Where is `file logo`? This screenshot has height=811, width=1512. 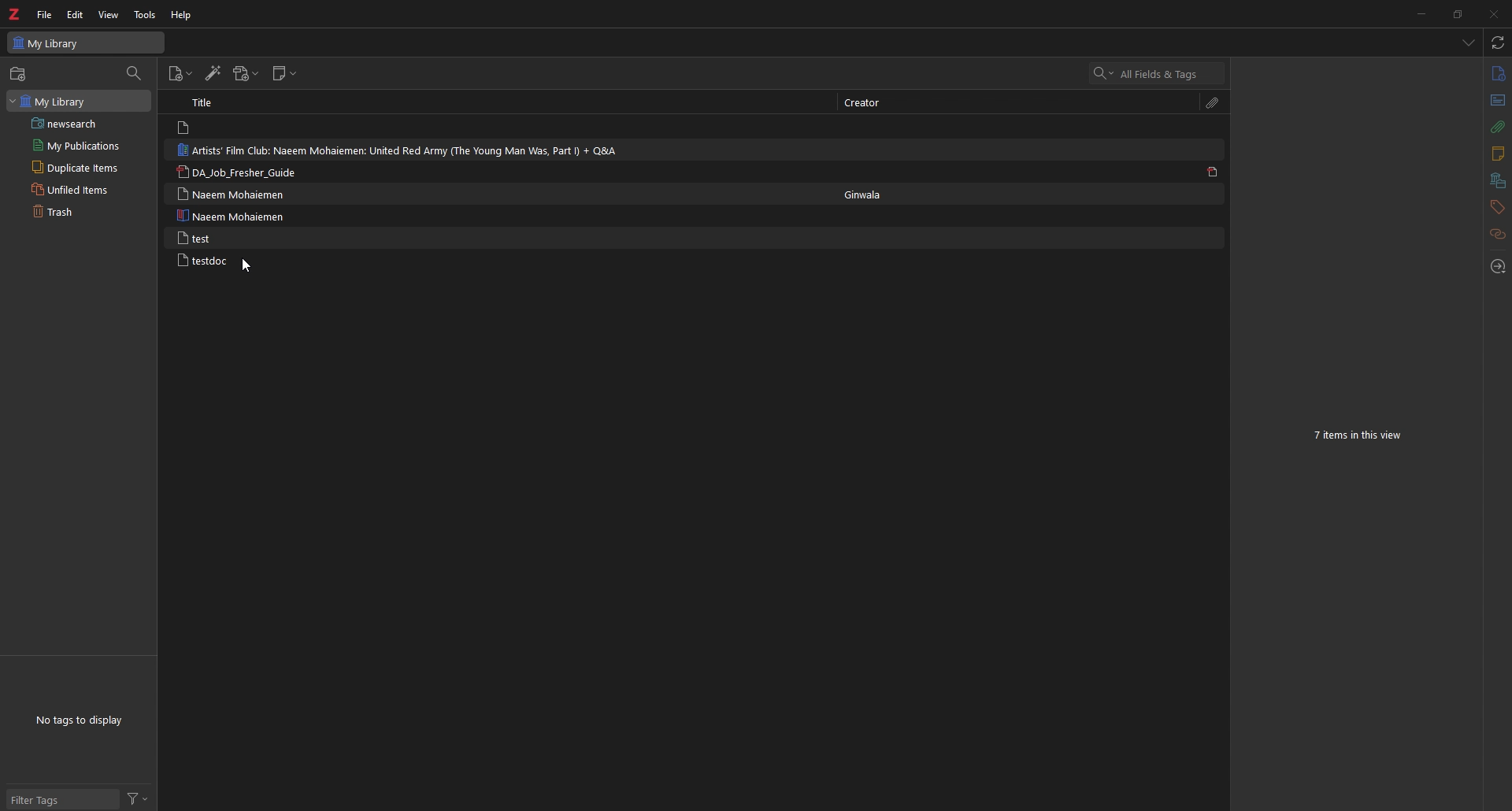
file logo is located at coordinates (186, 128).